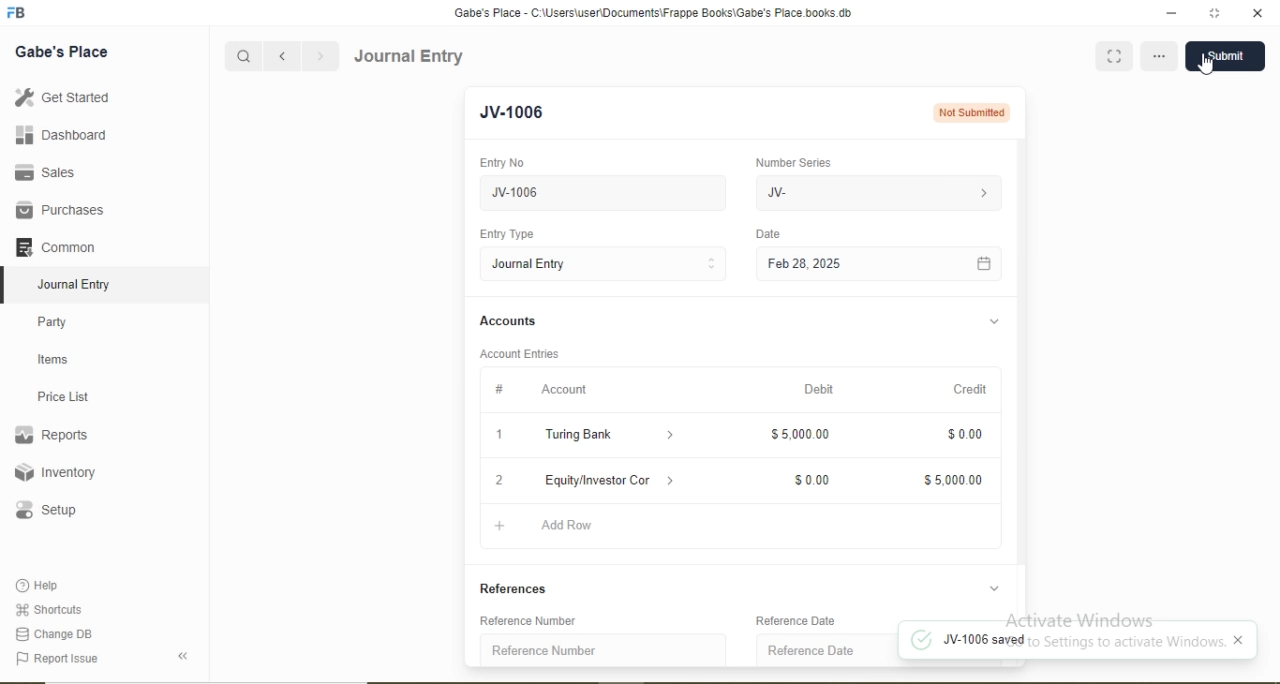 This screenshot has width=1280, height=684. Describe the element at coordinates (971, 112) in the screenshot. I see `Not Submitted` at that location.